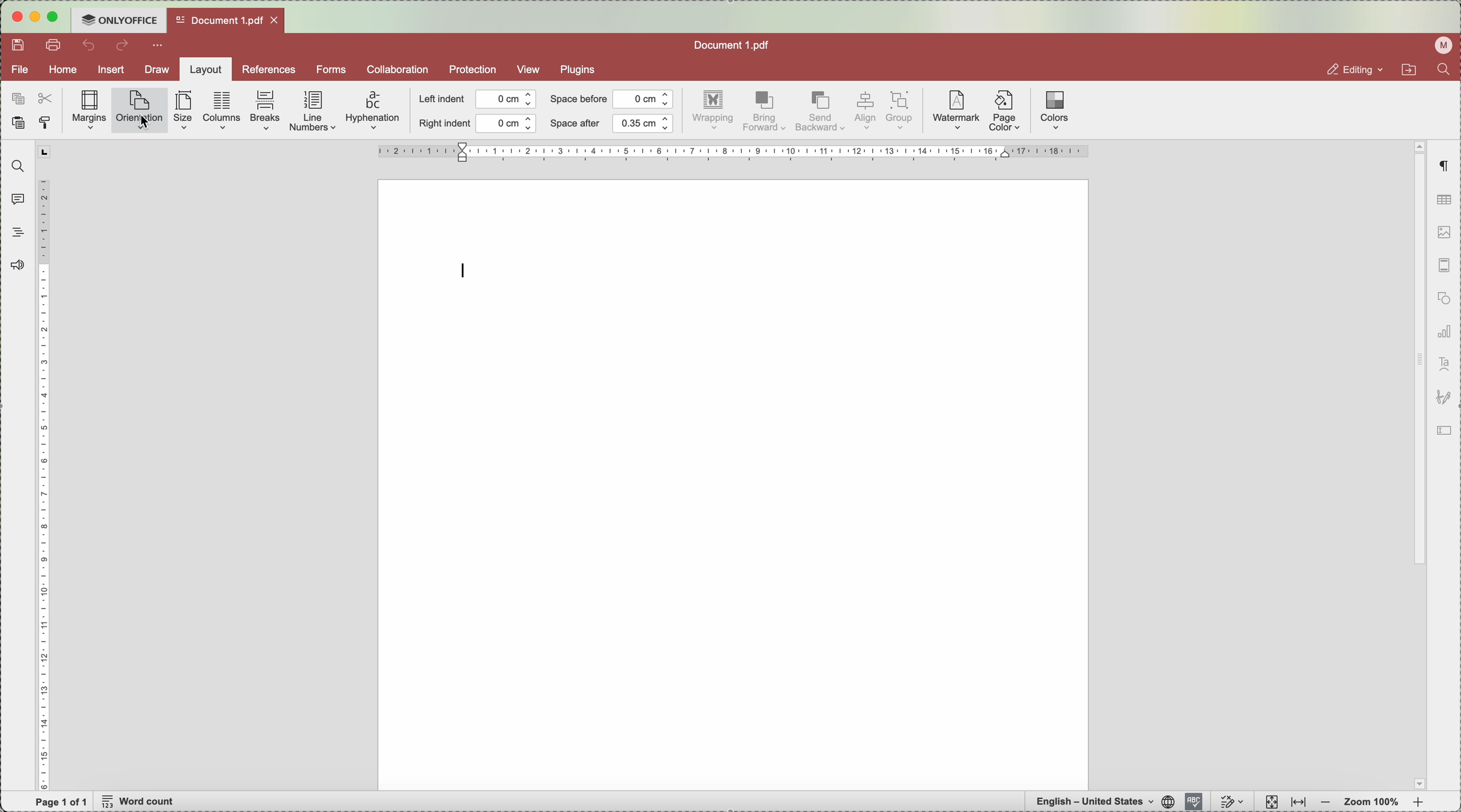 This screenshot has width=1461, height=812. Describe the element at coordinates (204, 73) in the screenshot. I see `click on layout` at that location.